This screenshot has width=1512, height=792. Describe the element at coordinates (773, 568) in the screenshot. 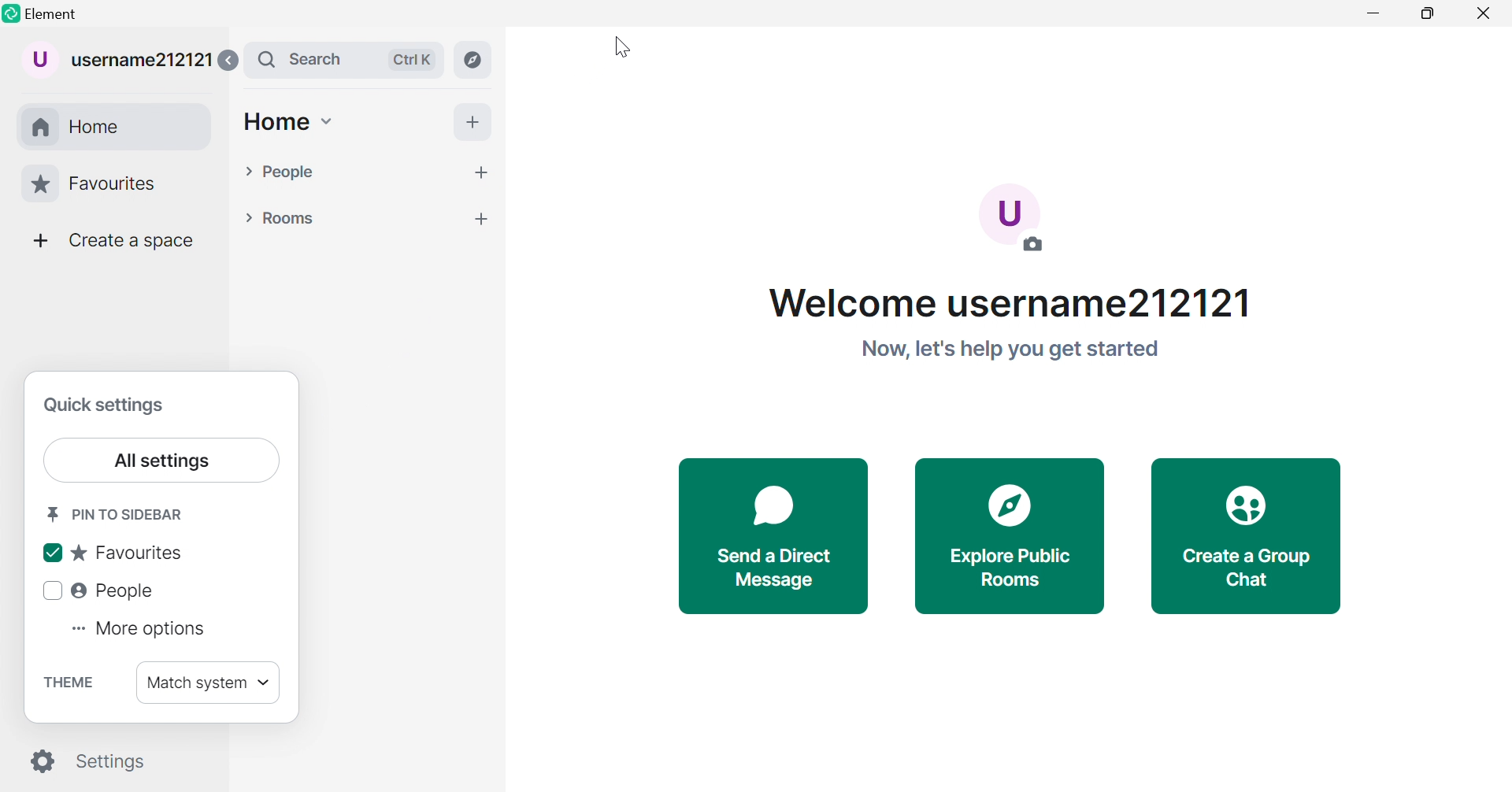

I see `Send a direct messsage` at that location.